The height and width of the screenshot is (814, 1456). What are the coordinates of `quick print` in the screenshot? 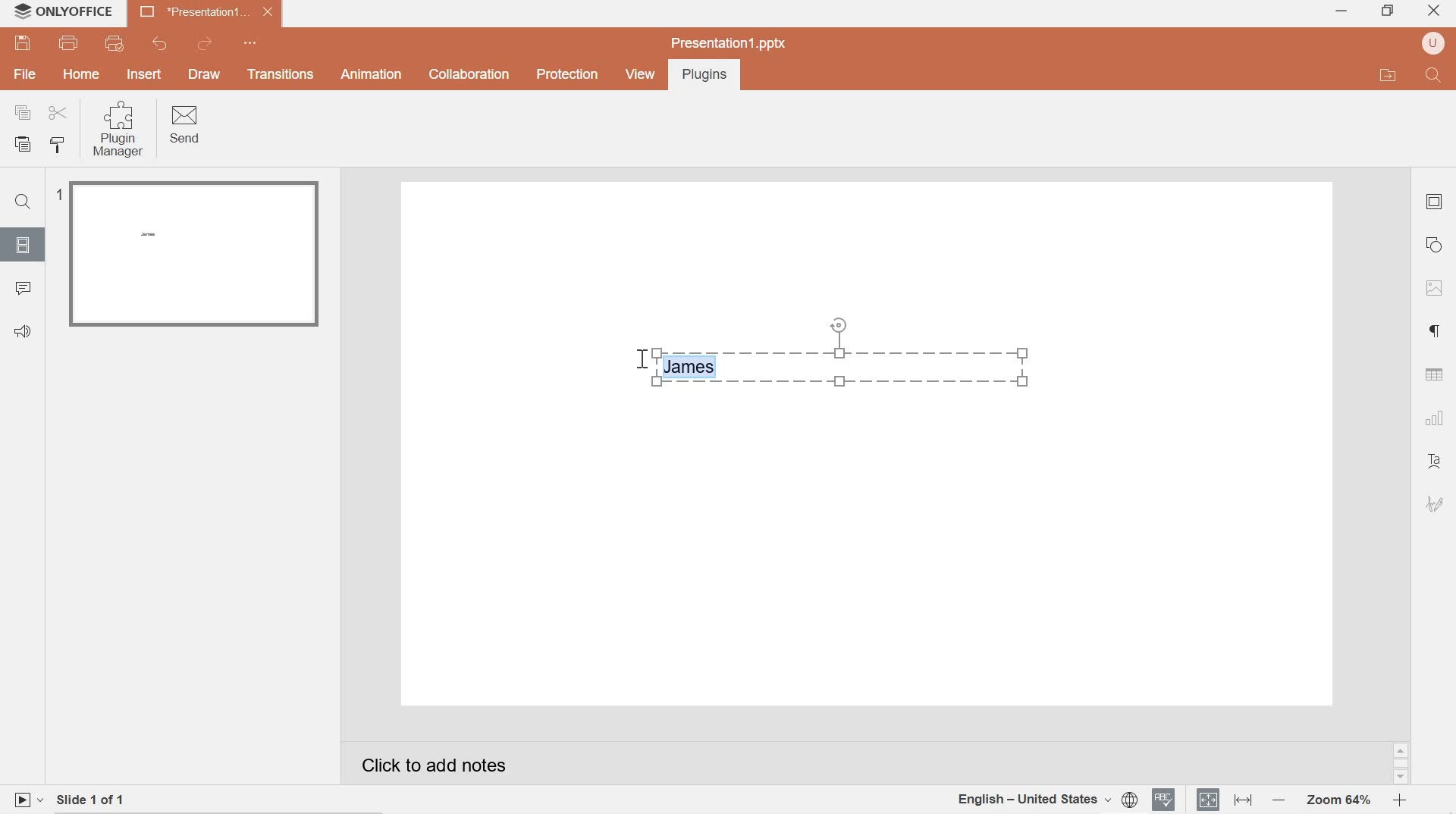 It's located at (120, 44).